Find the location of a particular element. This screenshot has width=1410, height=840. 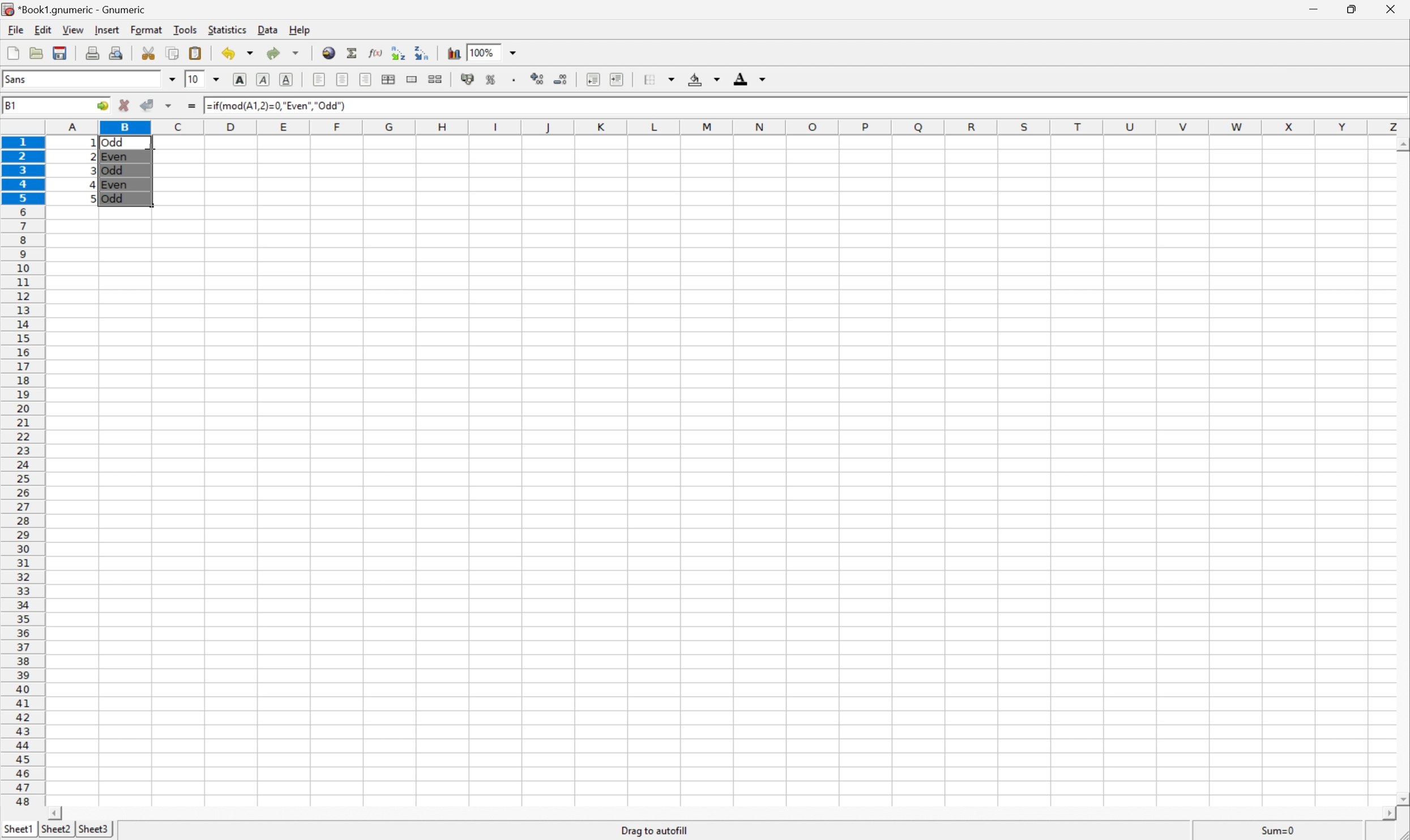

 is located at coordinates (169, 106).